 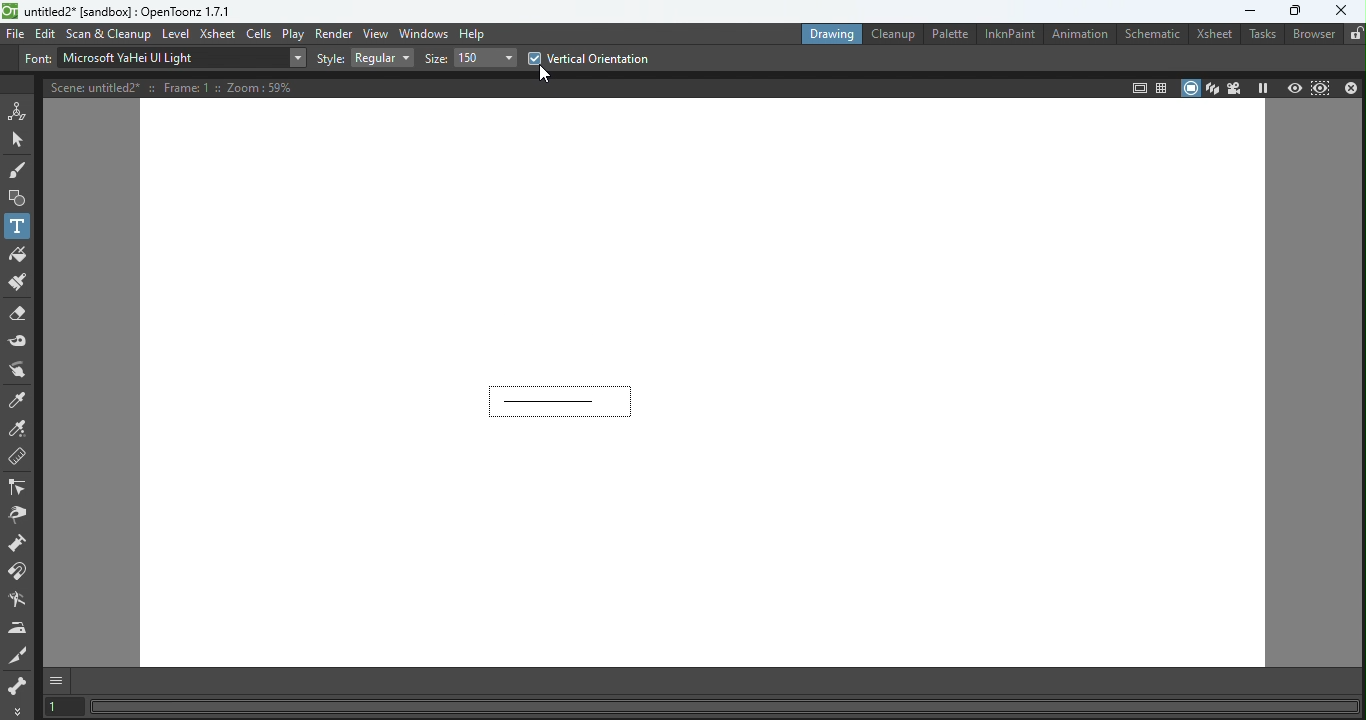 What do you see at coordinates (1352, 35) in the screenshot?
I see `Lock rooms tab` at bounding box center [1352, 35].